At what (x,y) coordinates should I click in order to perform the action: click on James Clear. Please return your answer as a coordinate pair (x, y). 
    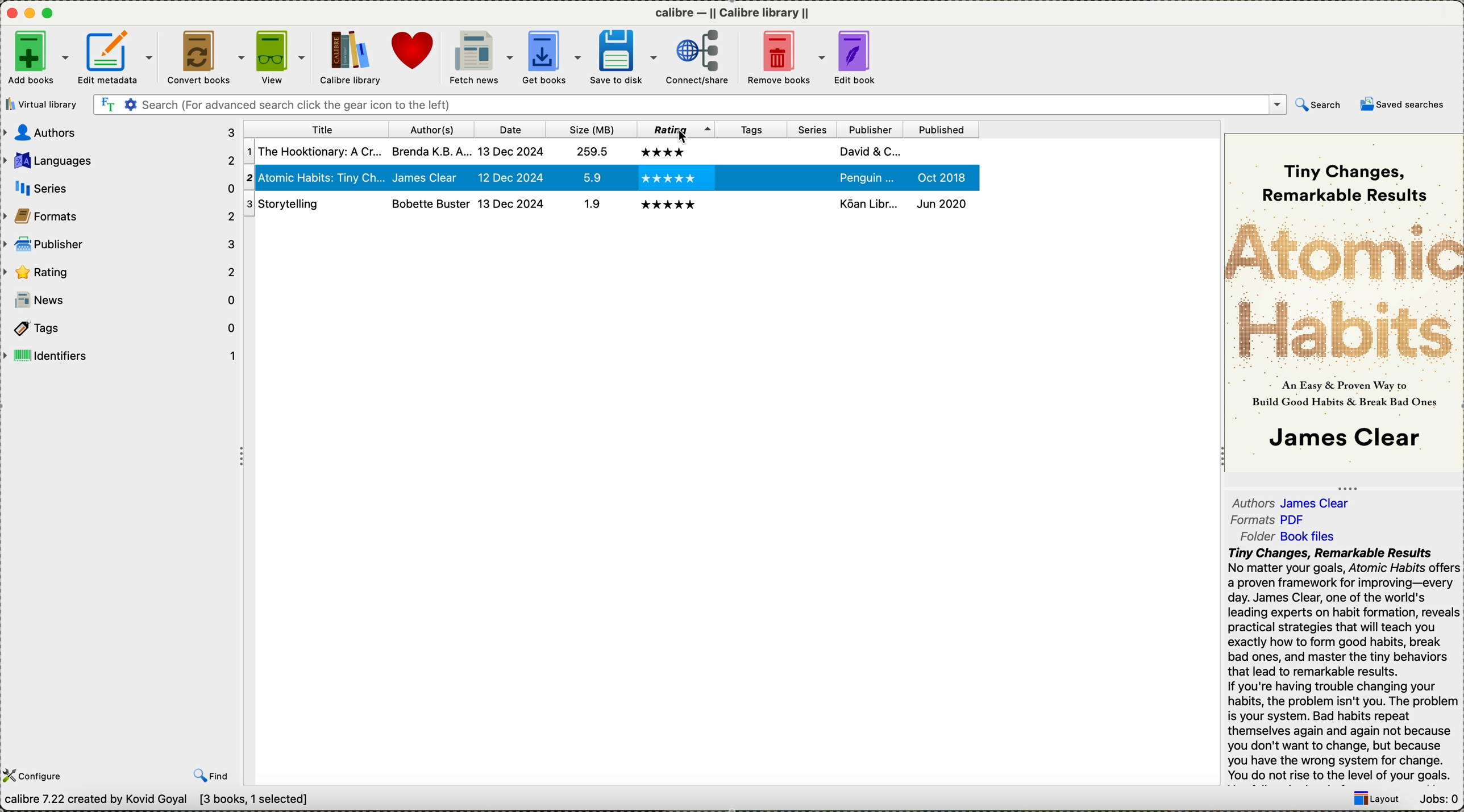
    Looking at the image, I should click on (430, 151).